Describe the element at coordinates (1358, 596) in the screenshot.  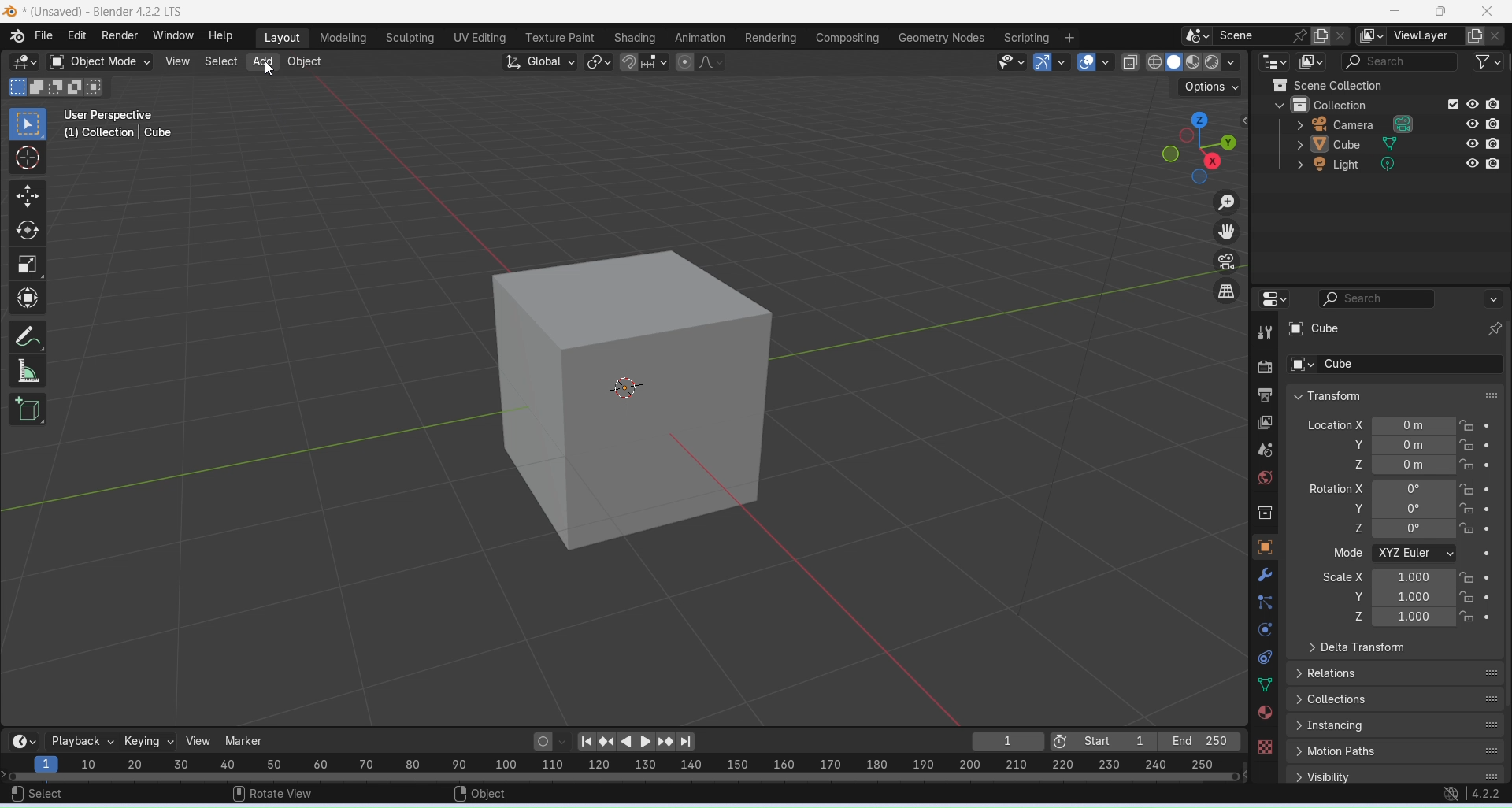
I see `Scale  Y` at that location.